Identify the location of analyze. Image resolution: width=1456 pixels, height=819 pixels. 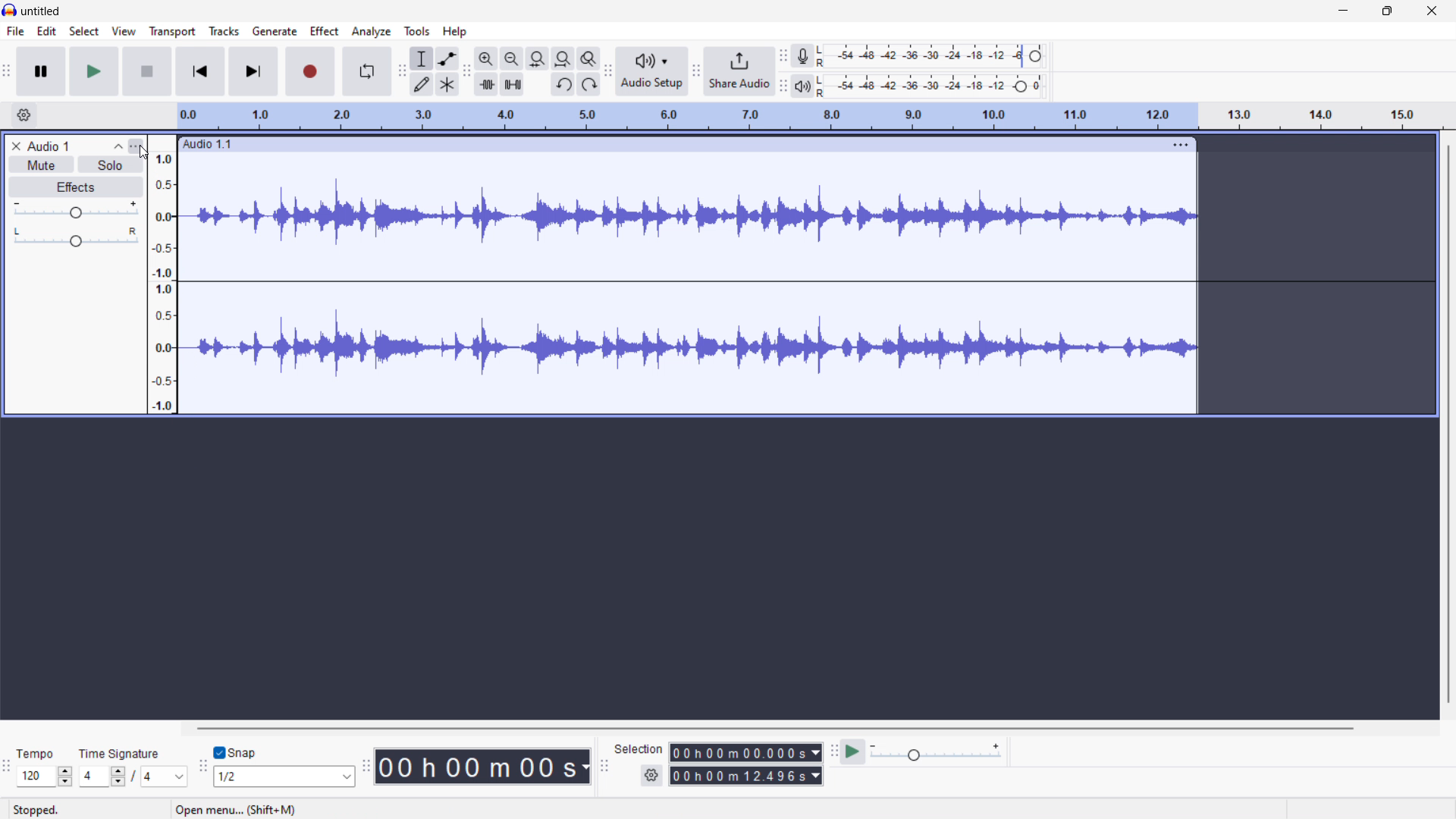
(371, 31).